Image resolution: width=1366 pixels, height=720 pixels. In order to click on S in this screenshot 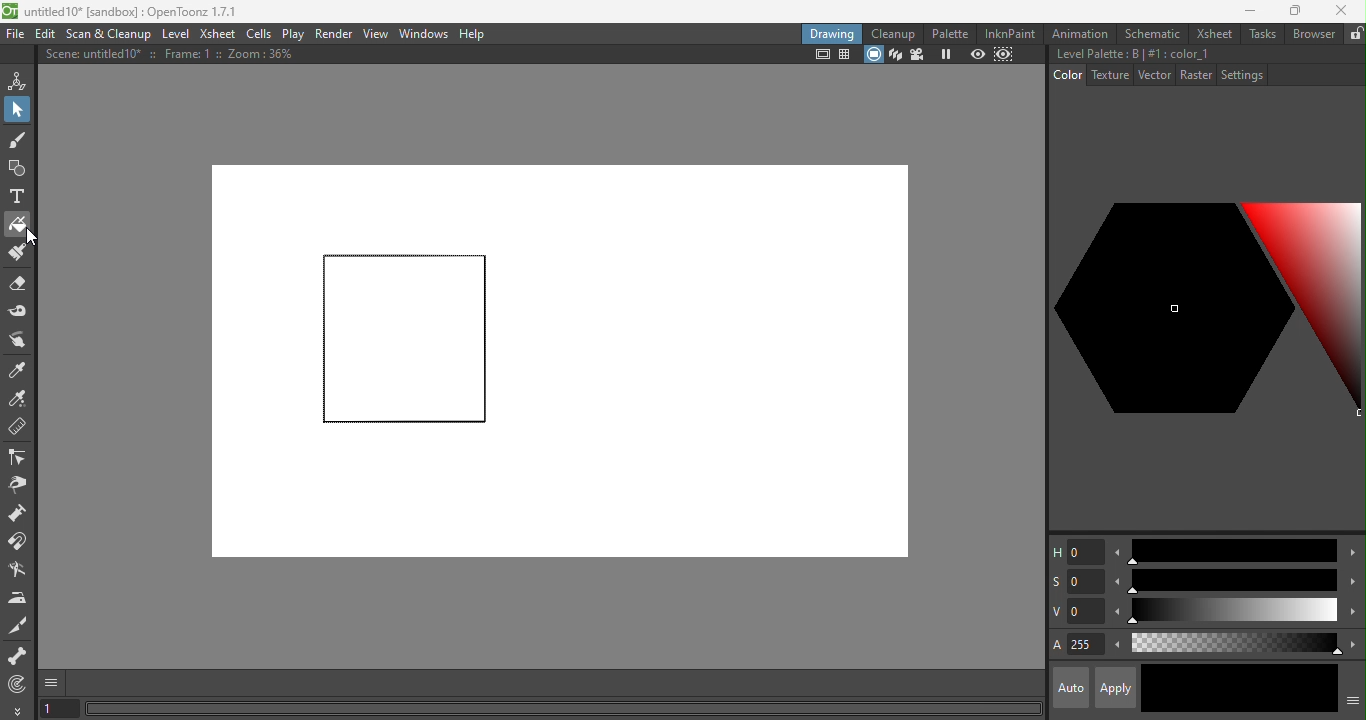, I will do `click(1077, 583)`.